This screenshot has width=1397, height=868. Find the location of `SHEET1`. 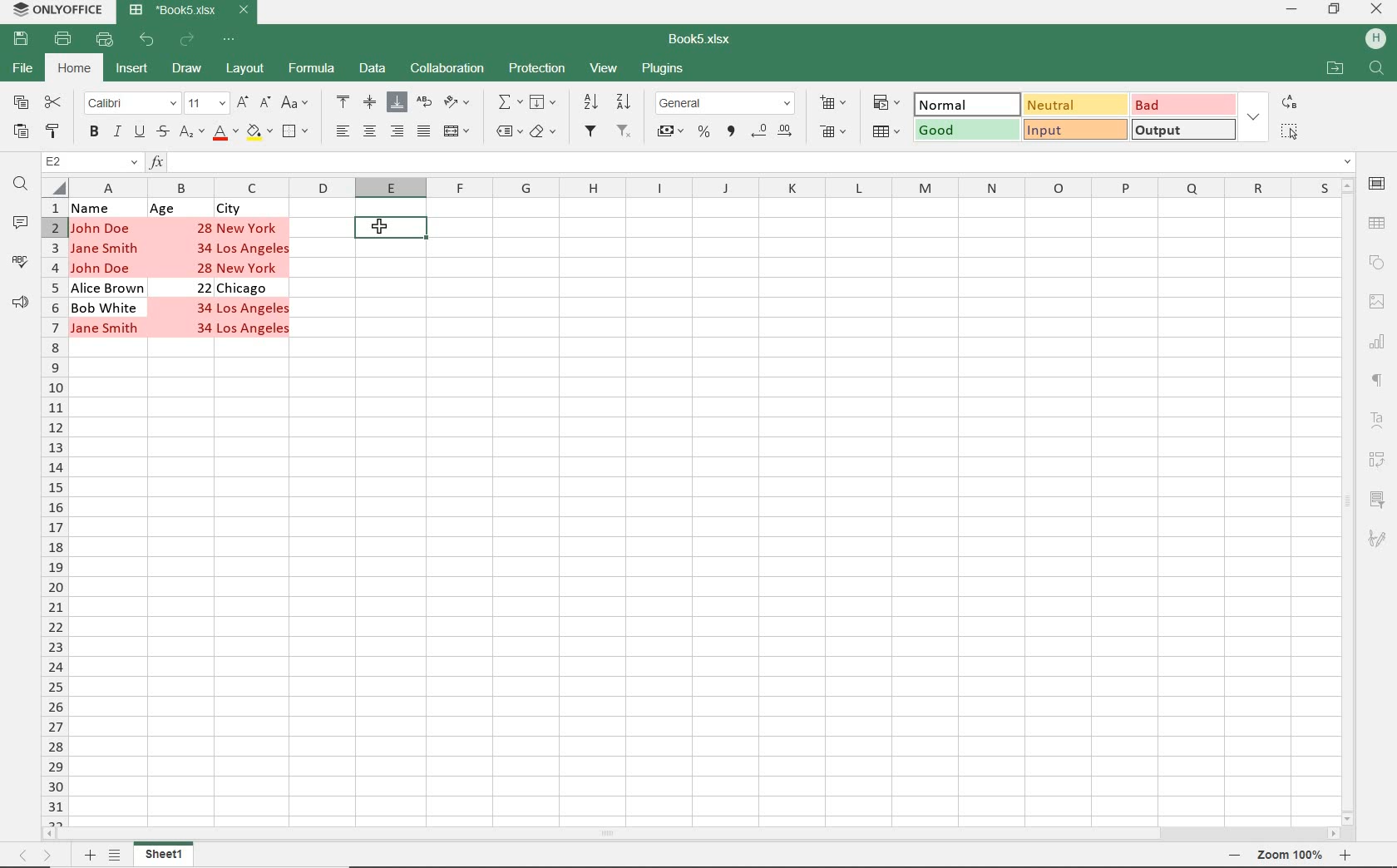

SHEET1 is located at coordinates (165, 856).